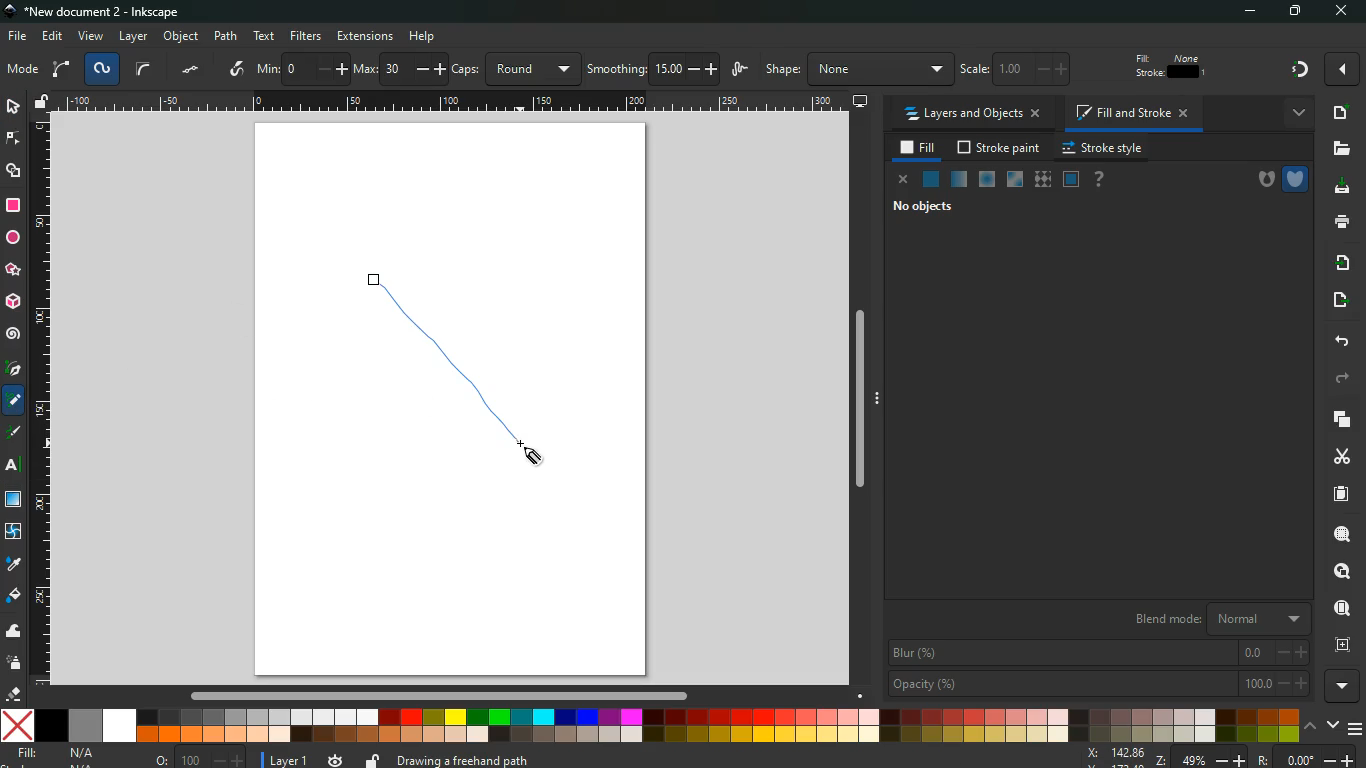 The image size is (1366, 768). Describe the element at coordinates (265, 36) in the screenshot. I see `text` at that location.